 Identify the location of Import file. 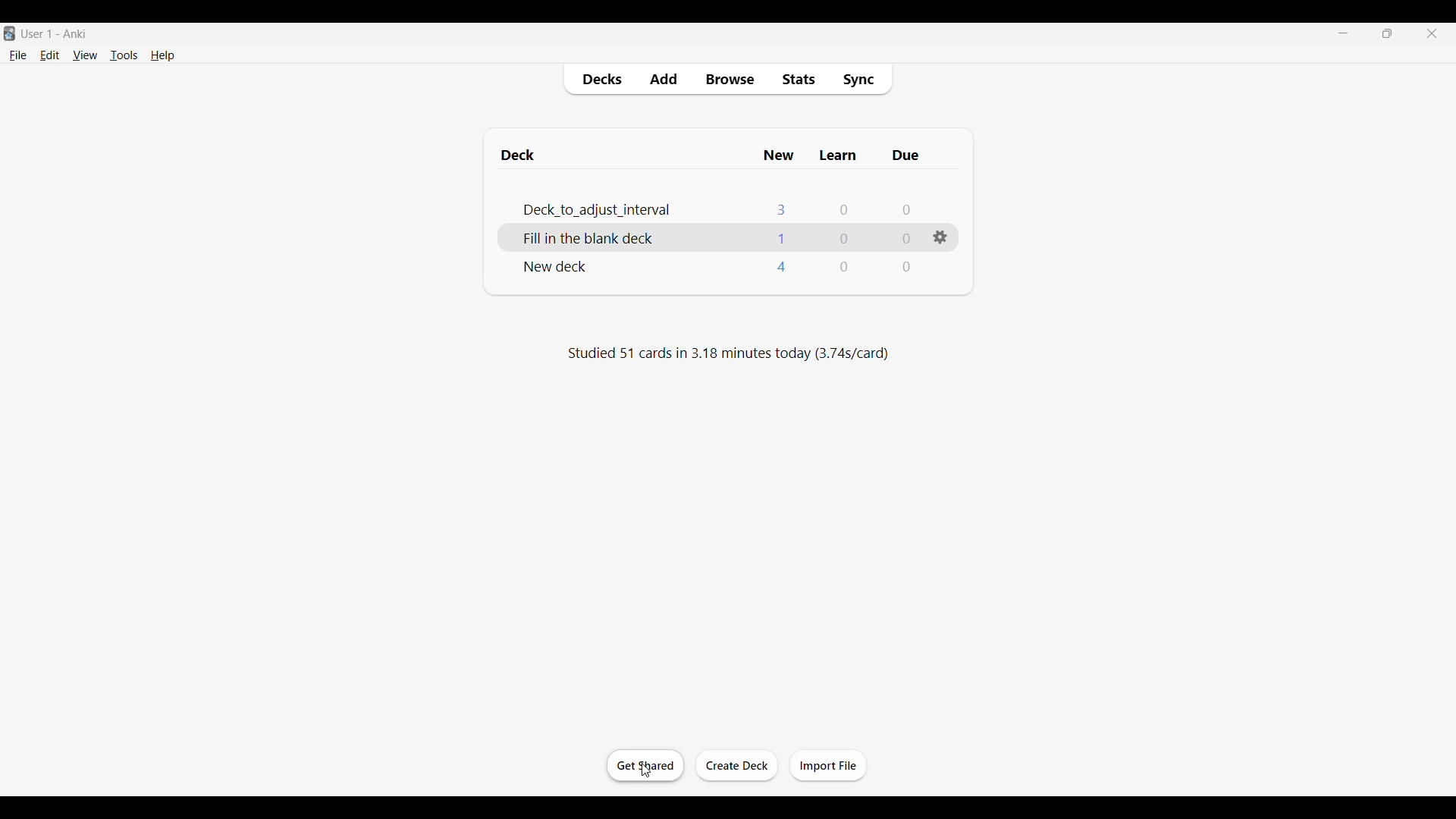
(828, 766).